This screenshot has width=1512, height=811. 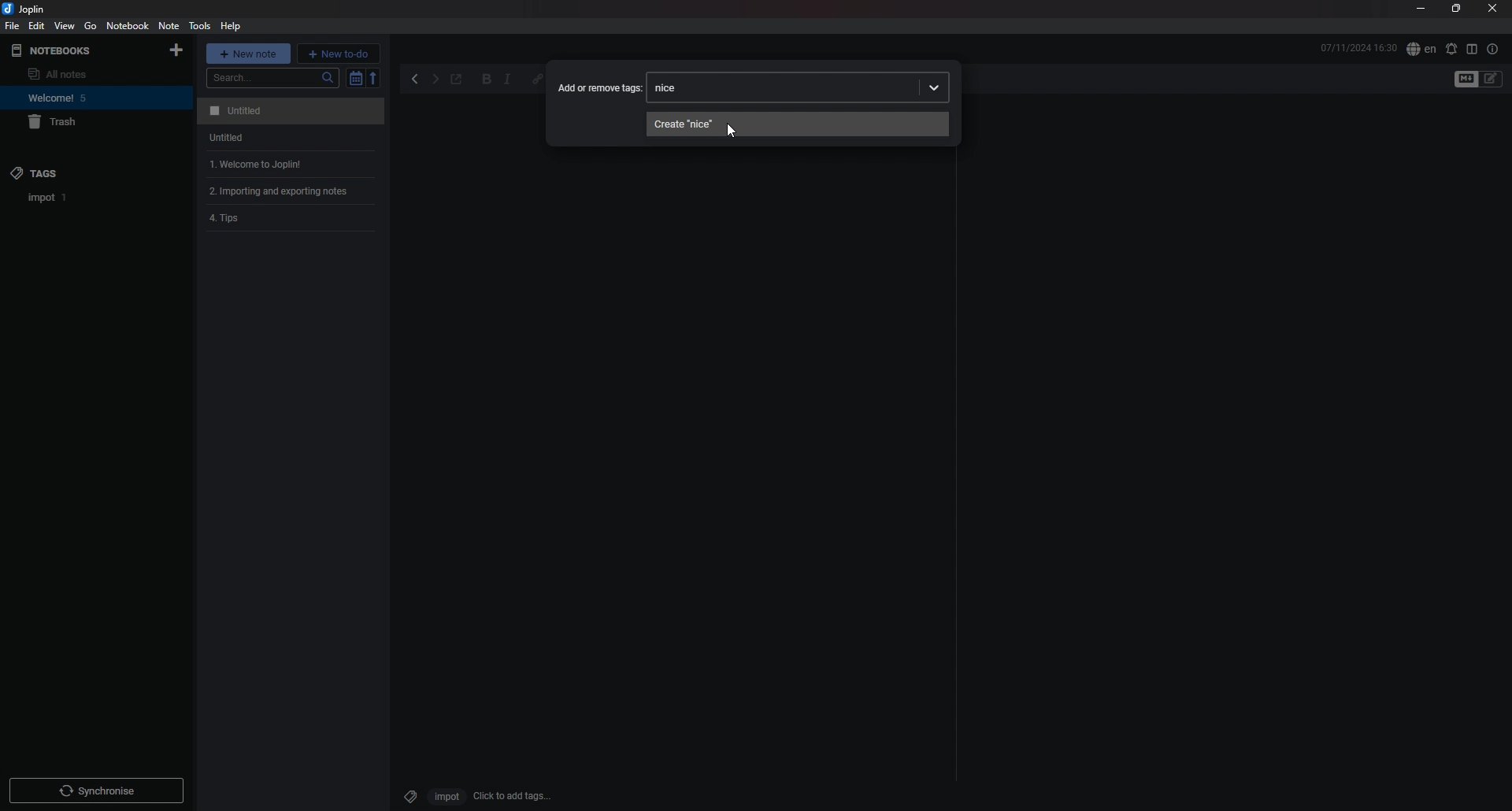 I want to click on tag, so click(x=407, y=794).